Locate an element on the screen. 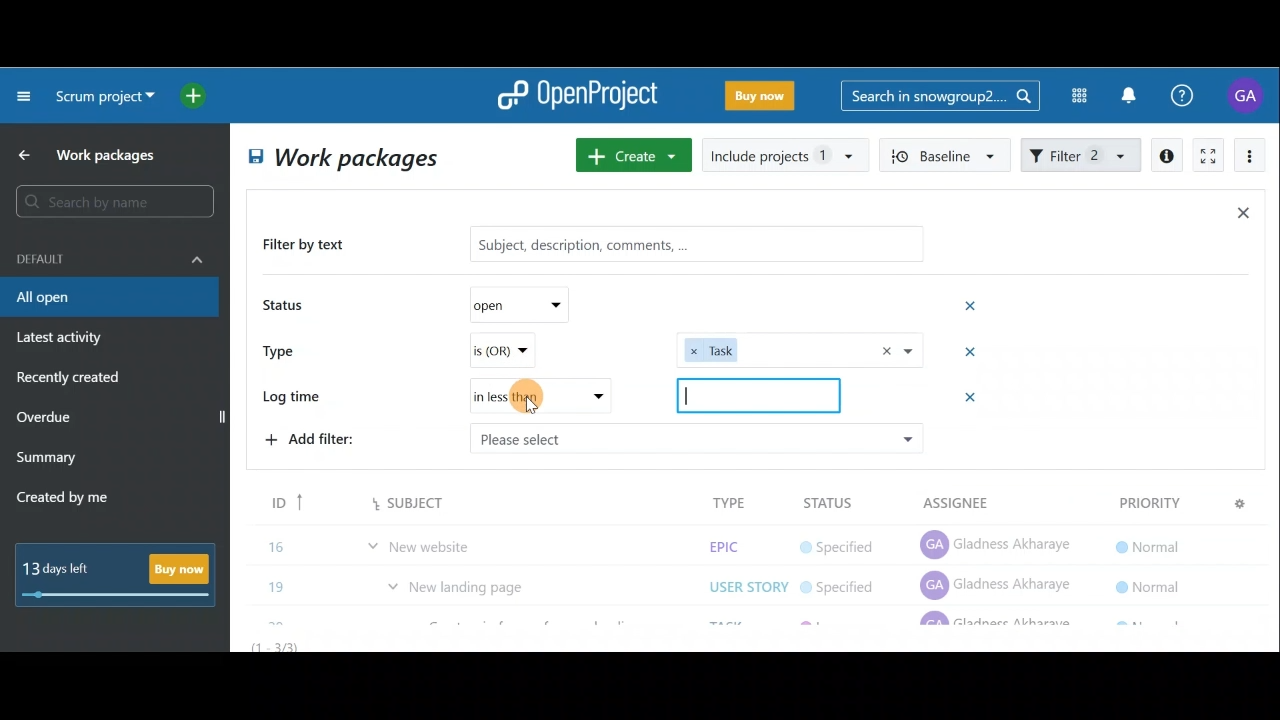  Buy now is located at coordinates (764, 99).